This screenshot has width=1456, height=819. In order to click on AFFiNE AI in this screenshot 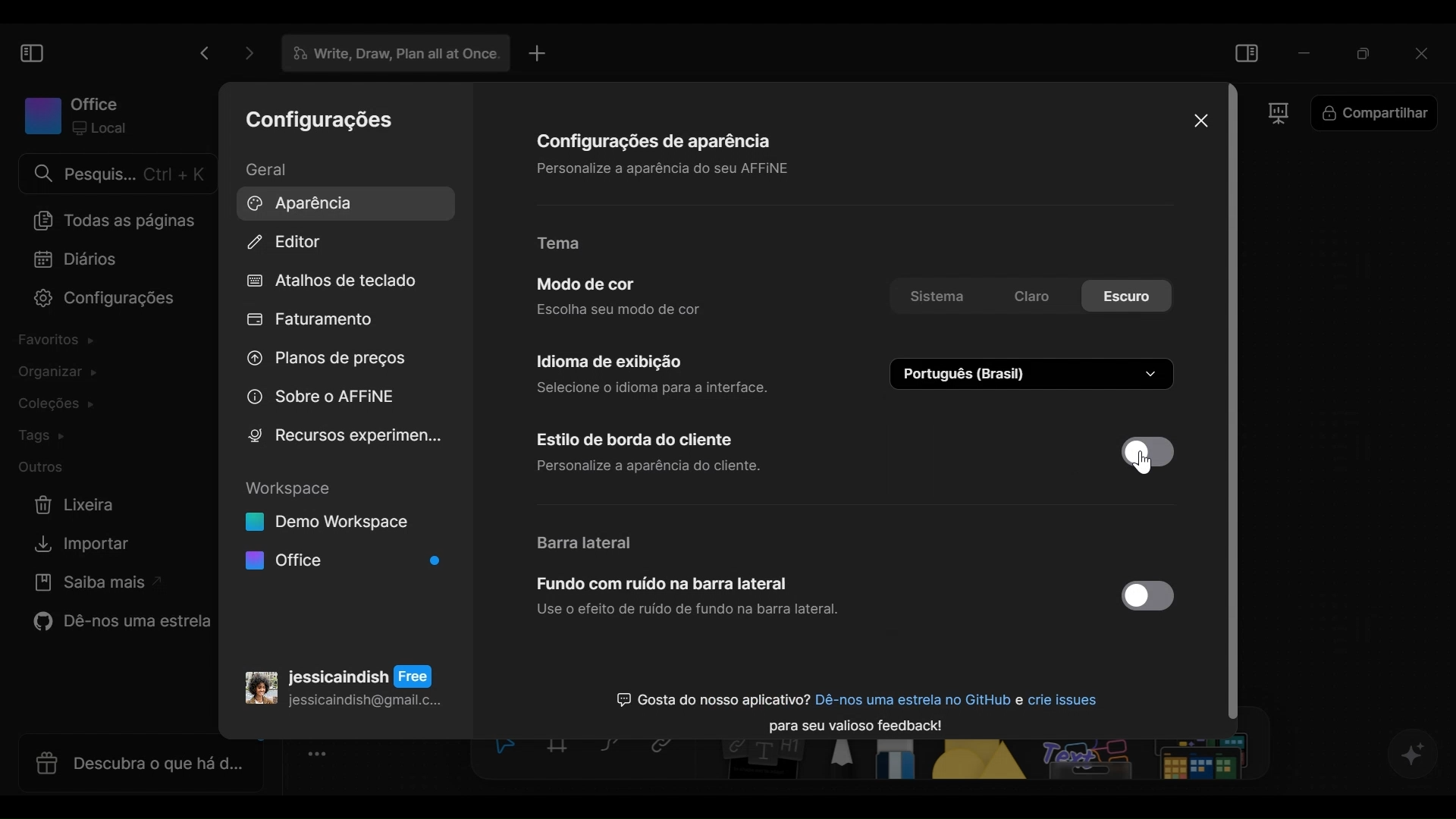, I will do `click(1414, 755)`.